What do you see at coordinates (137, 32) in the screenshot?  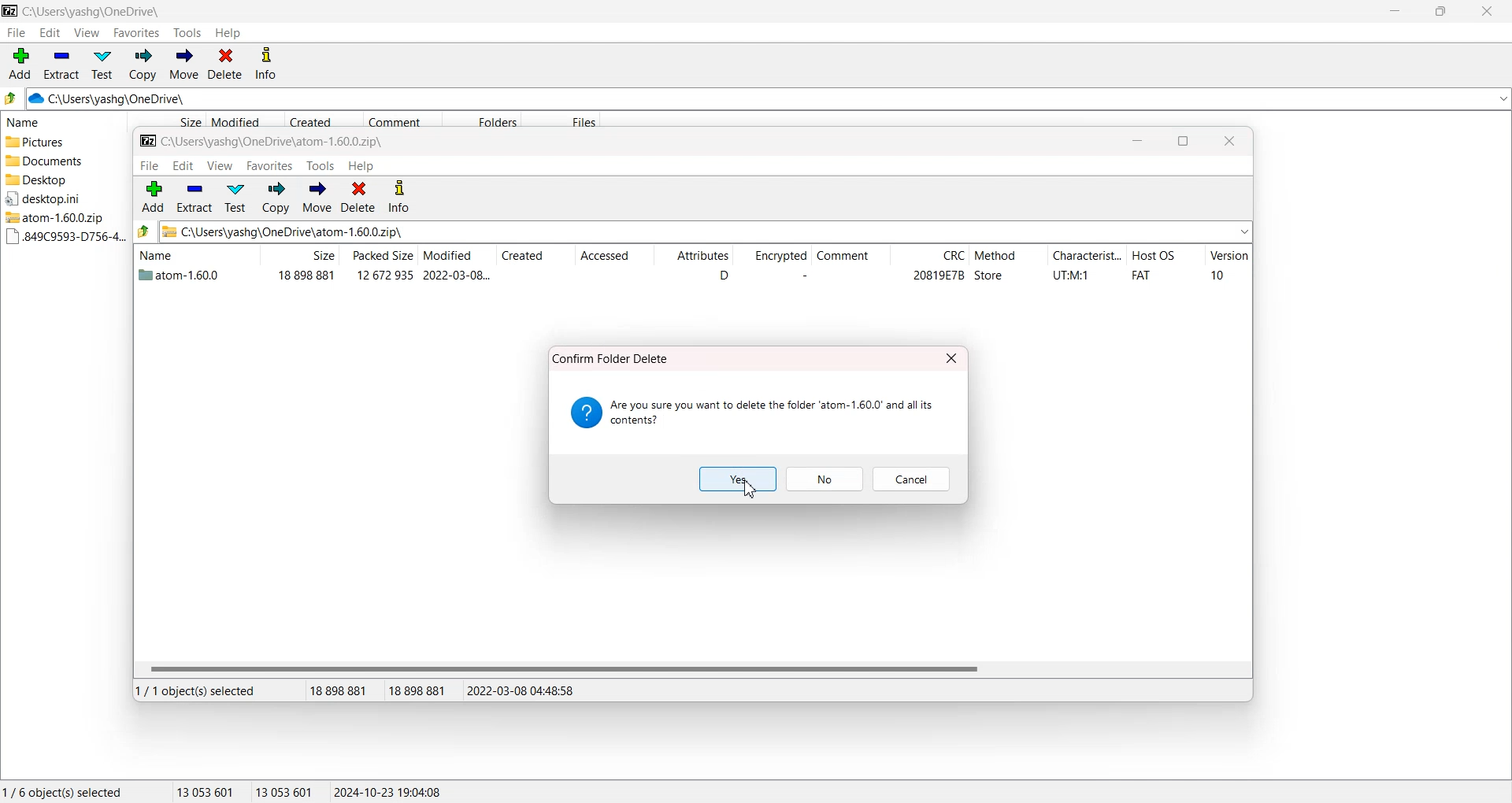 I see `Favorites` at bounding box center [137, 32].